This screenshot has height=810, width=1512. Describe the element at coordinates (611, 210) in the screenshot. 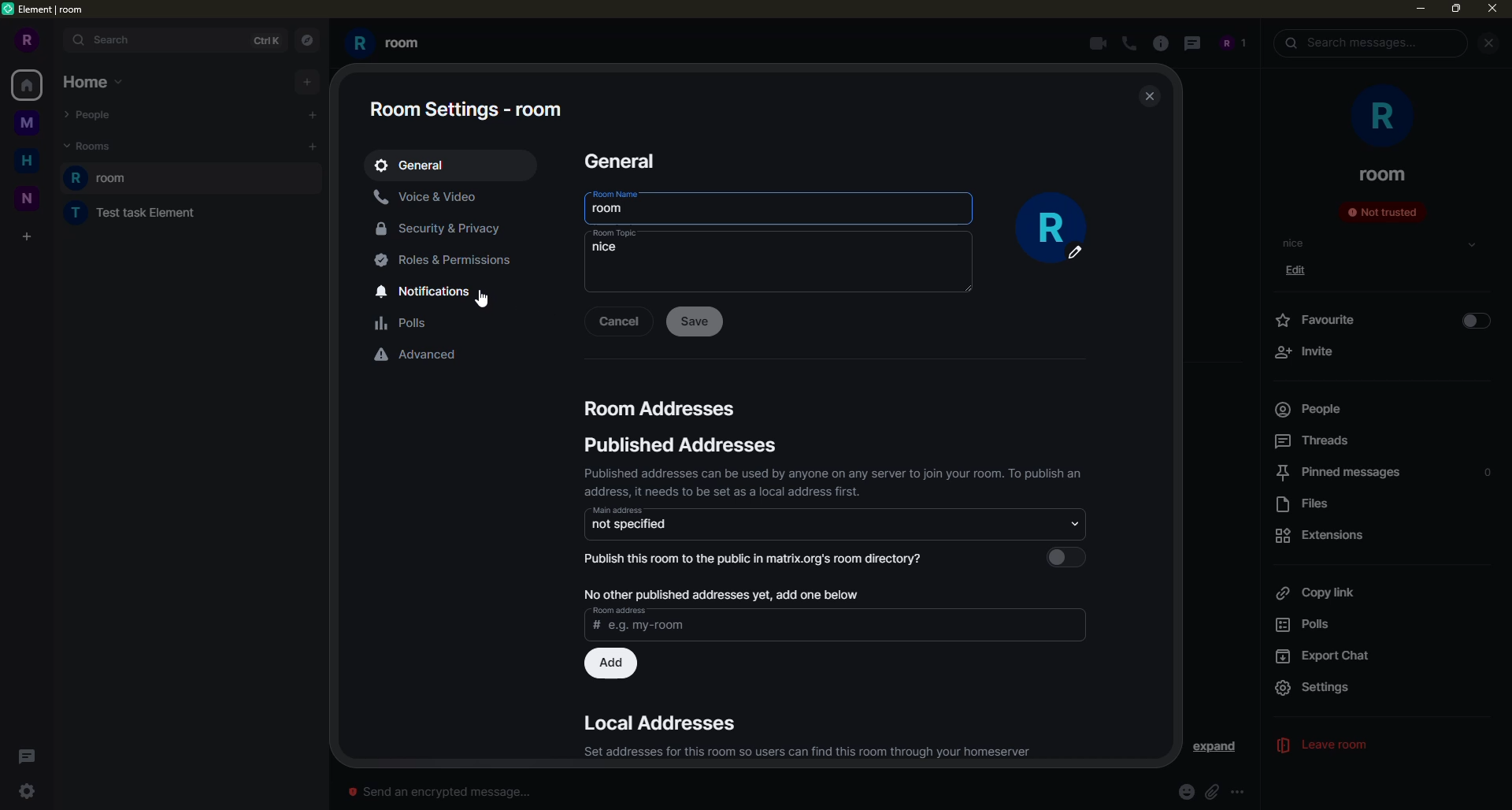

I see `room` at that location.